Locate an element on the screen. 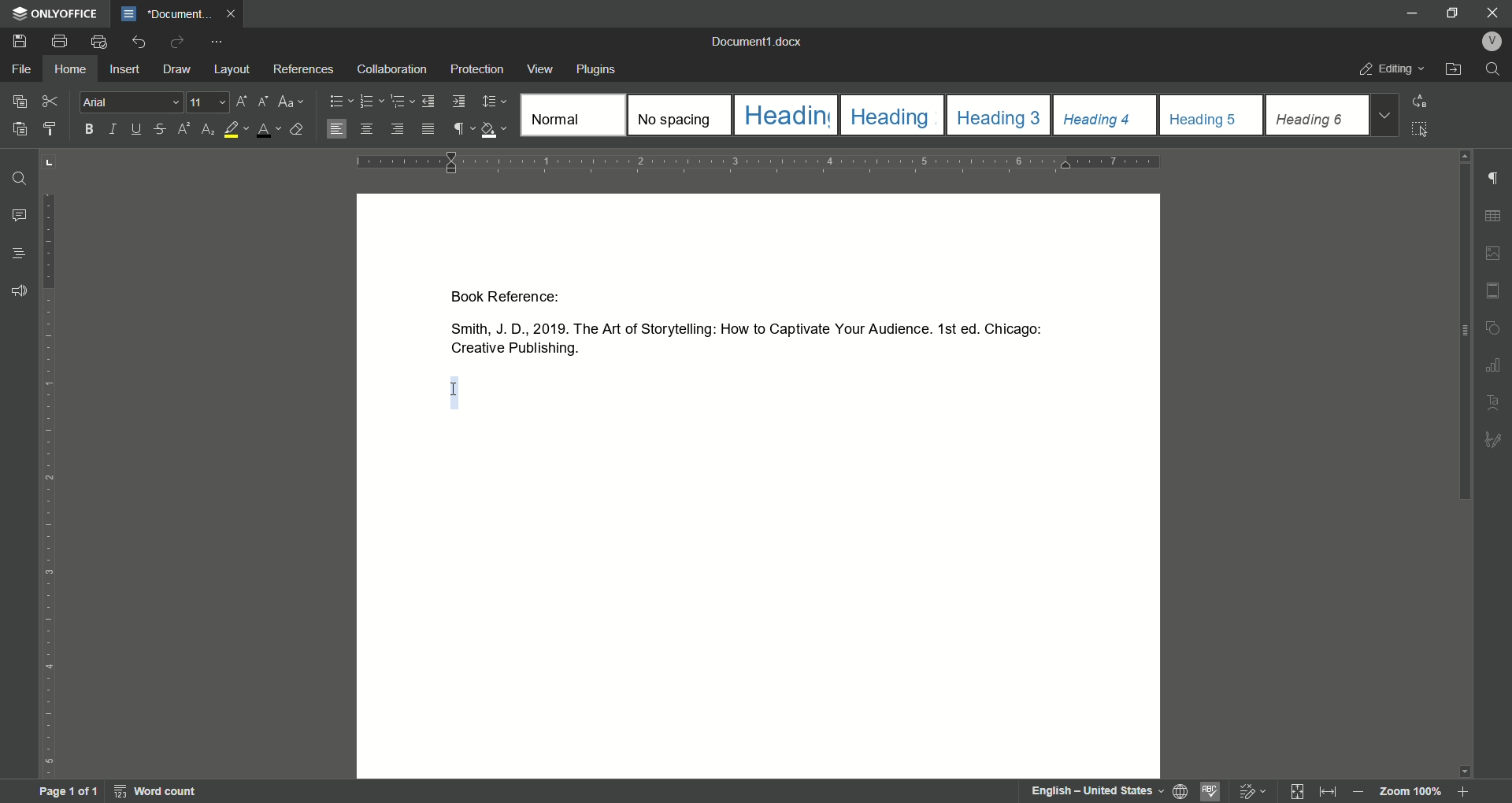  headings is located at coordinates (571, 116).